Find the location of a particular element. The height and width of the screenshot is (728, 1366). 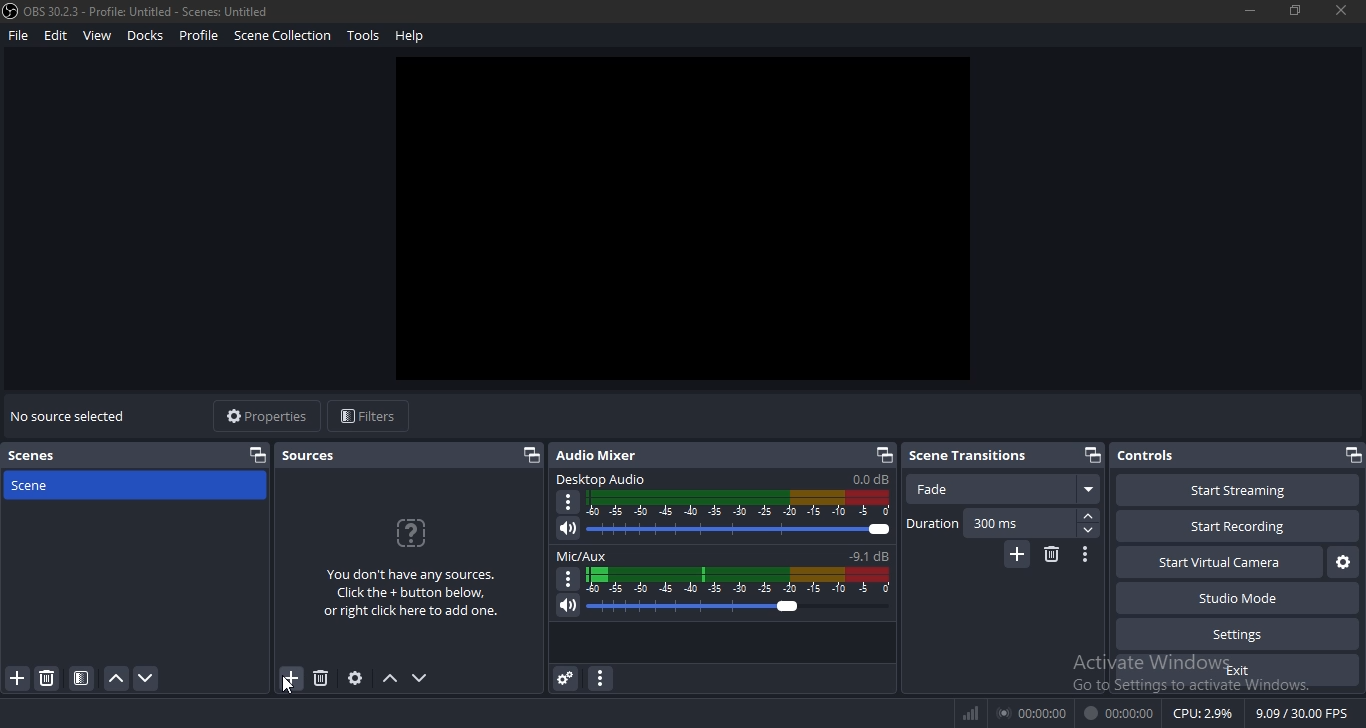

settings is located at coordinates (1345, 563).